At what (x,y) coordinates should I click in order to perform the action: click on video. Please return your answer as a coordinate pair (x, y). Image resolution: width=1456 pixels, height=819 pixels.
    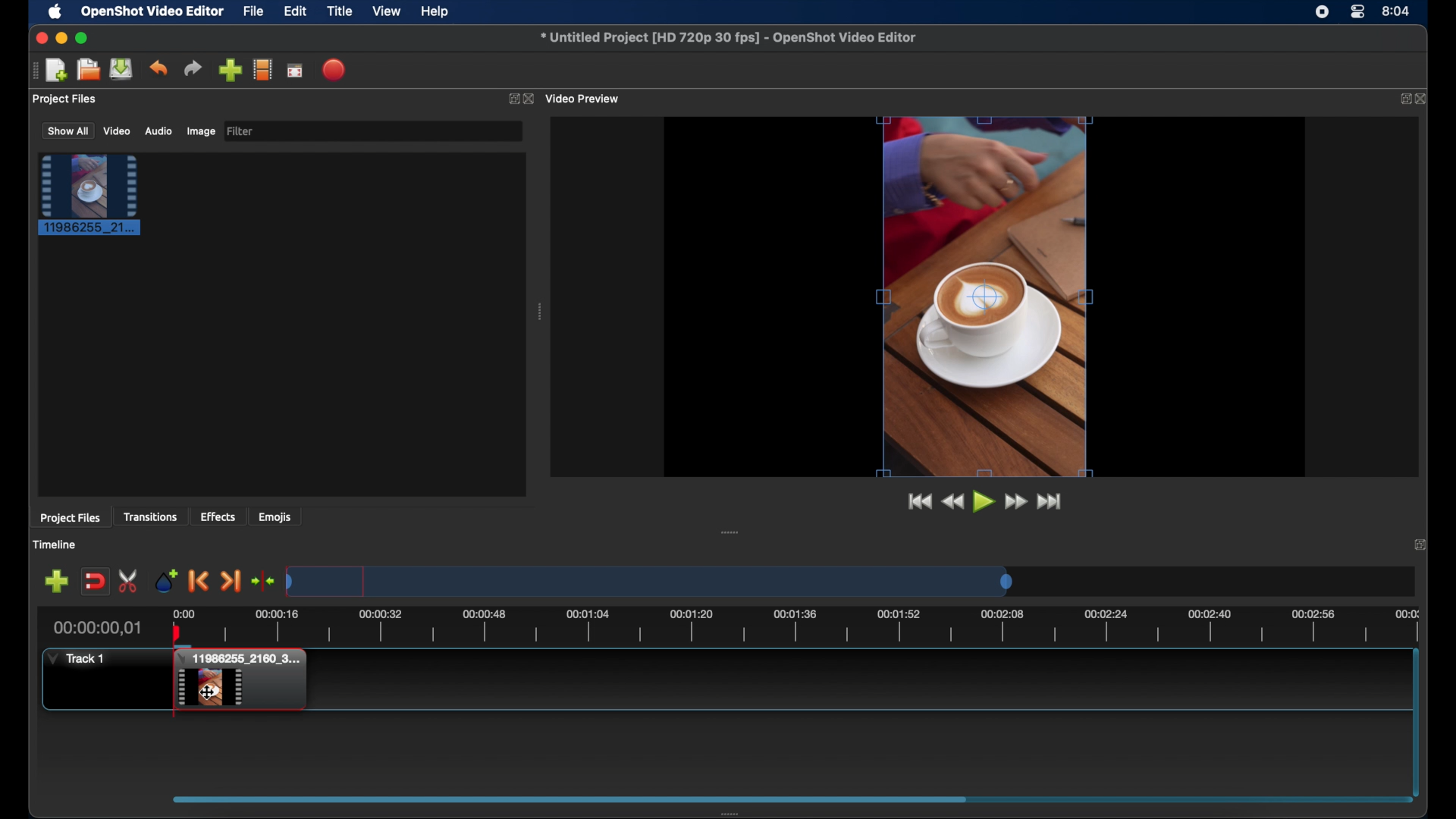
    Looking at the image, I should click on (118, 131).